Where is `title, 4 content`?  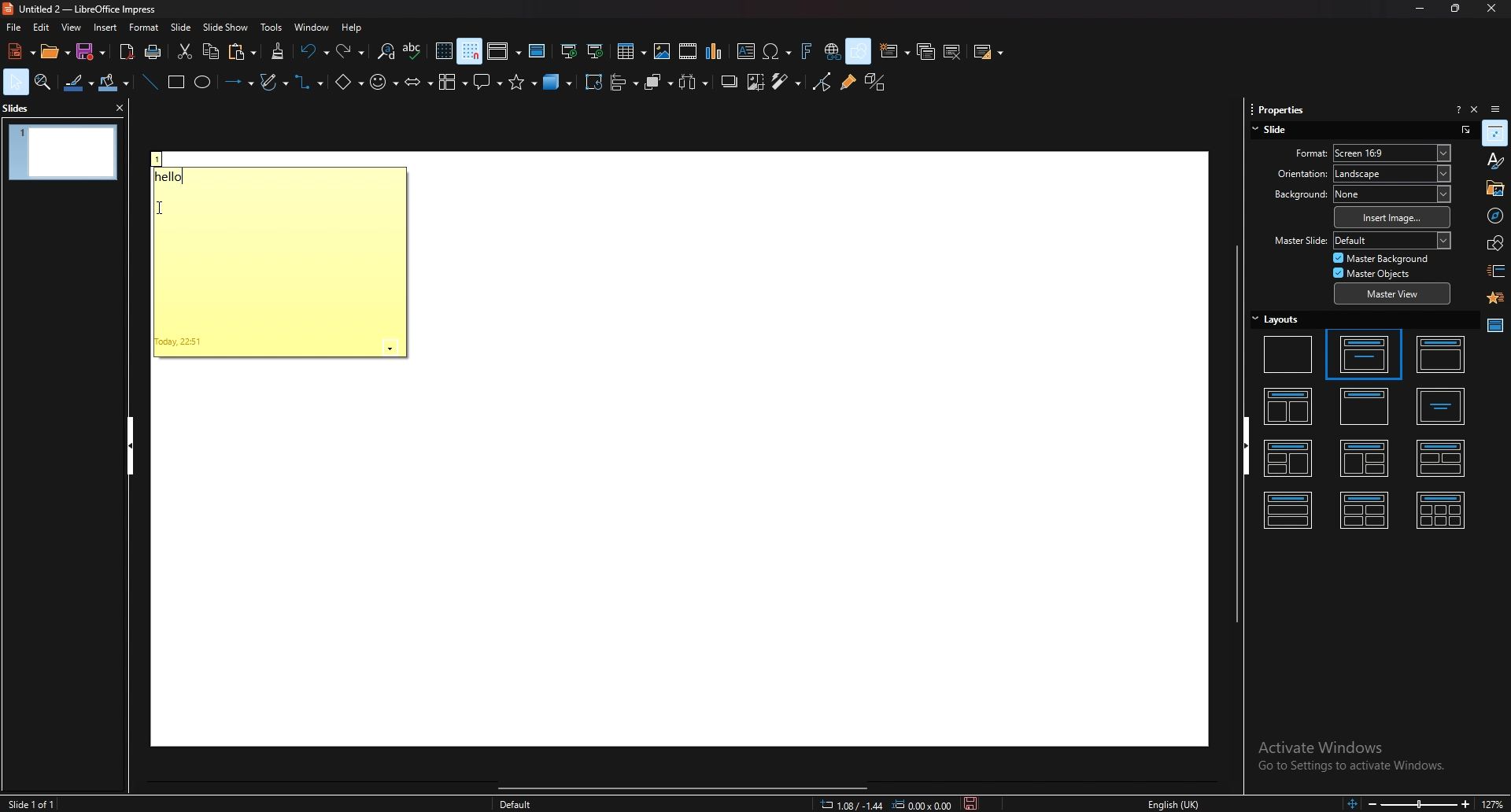 title, 4 content is located at coordinates (1365, 509).